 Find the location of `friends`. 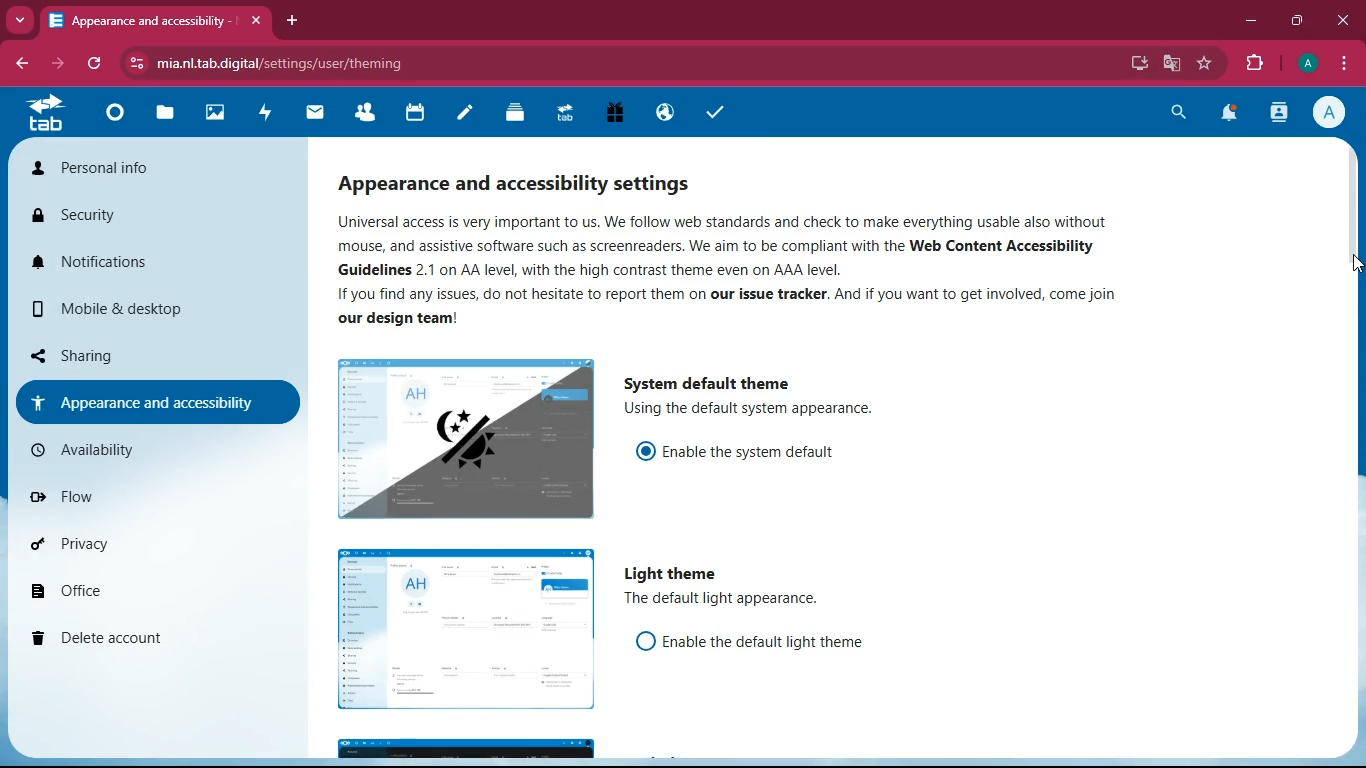

friends is located at coordinates (361, 112).